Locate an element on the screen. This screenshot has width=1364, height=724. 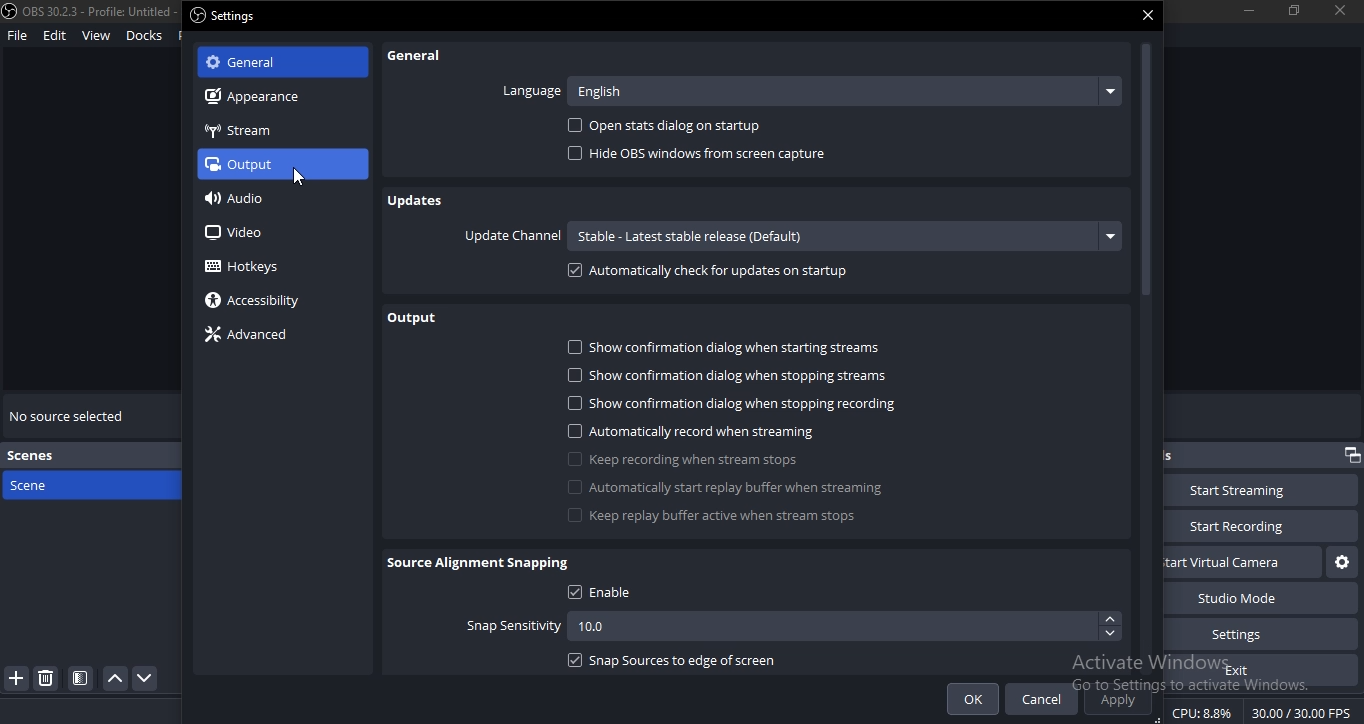
general is located at coordinates (266, 62).